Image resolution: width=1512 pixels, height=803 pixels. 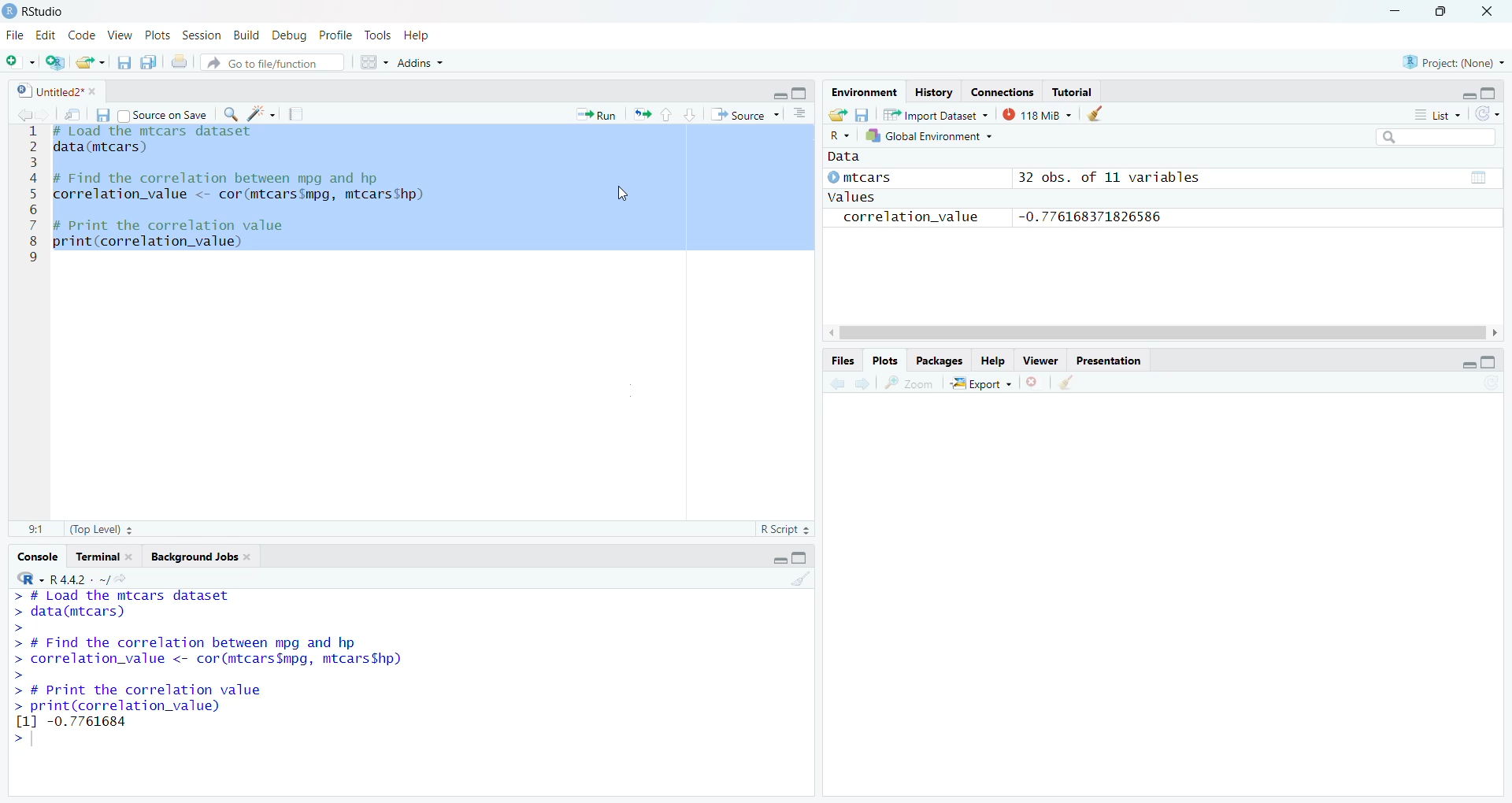 What do you see at coordinates (99, 529) in the screenshot?
I see `(Top Level)` at bounding box center [99, 529].